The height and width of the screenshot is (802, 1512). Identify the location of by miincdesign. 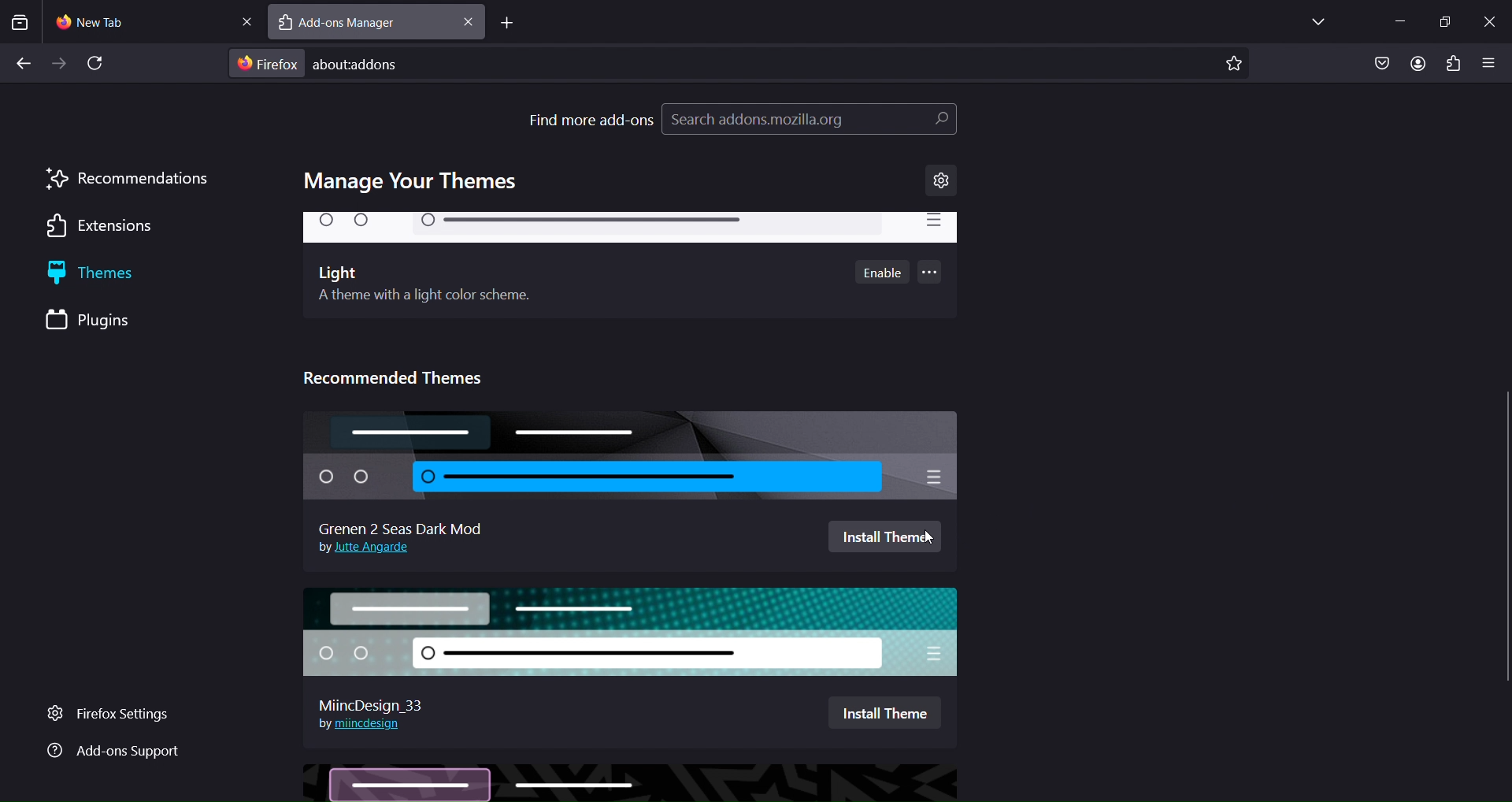
(360, 723).